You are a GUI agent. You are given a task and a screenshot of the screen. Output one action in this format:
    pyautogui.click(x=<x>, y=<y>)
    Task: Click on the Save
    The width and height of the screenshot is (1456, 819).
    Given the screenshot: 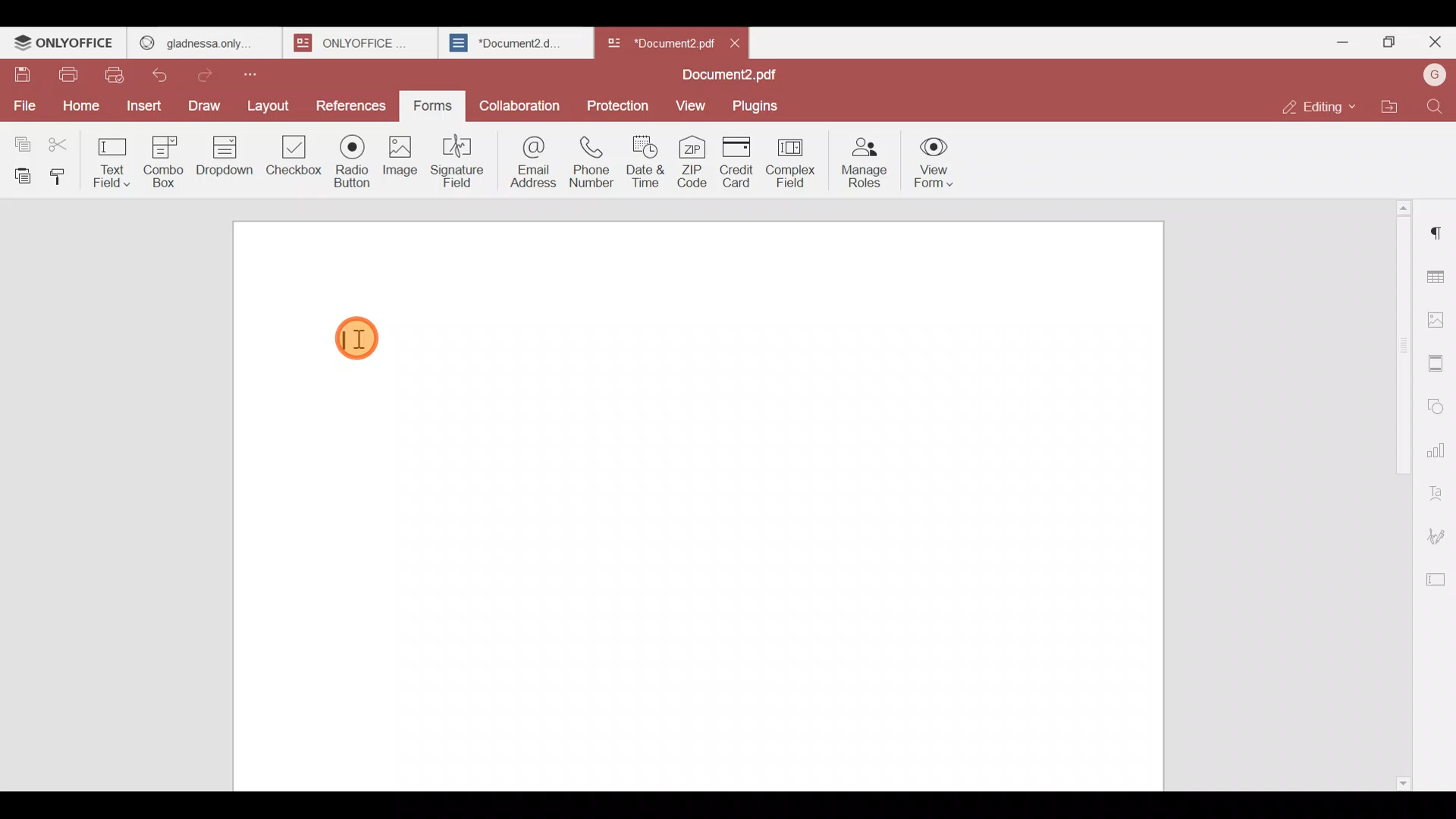 What is the action you would take?
    pyautogui.click(x=15, y=69)
    